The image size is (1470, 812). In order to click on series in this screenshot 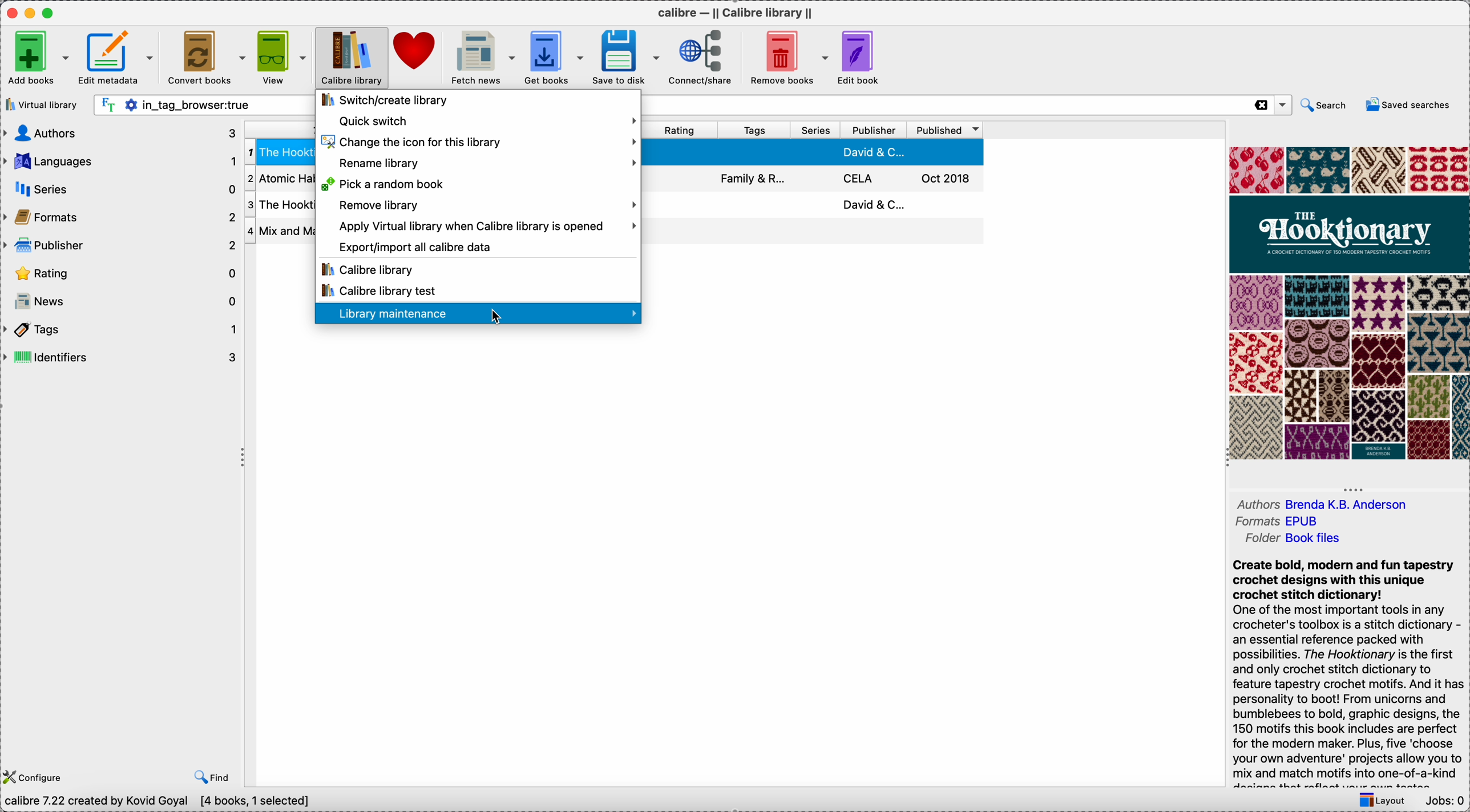, I will do `click(814, 131)`.